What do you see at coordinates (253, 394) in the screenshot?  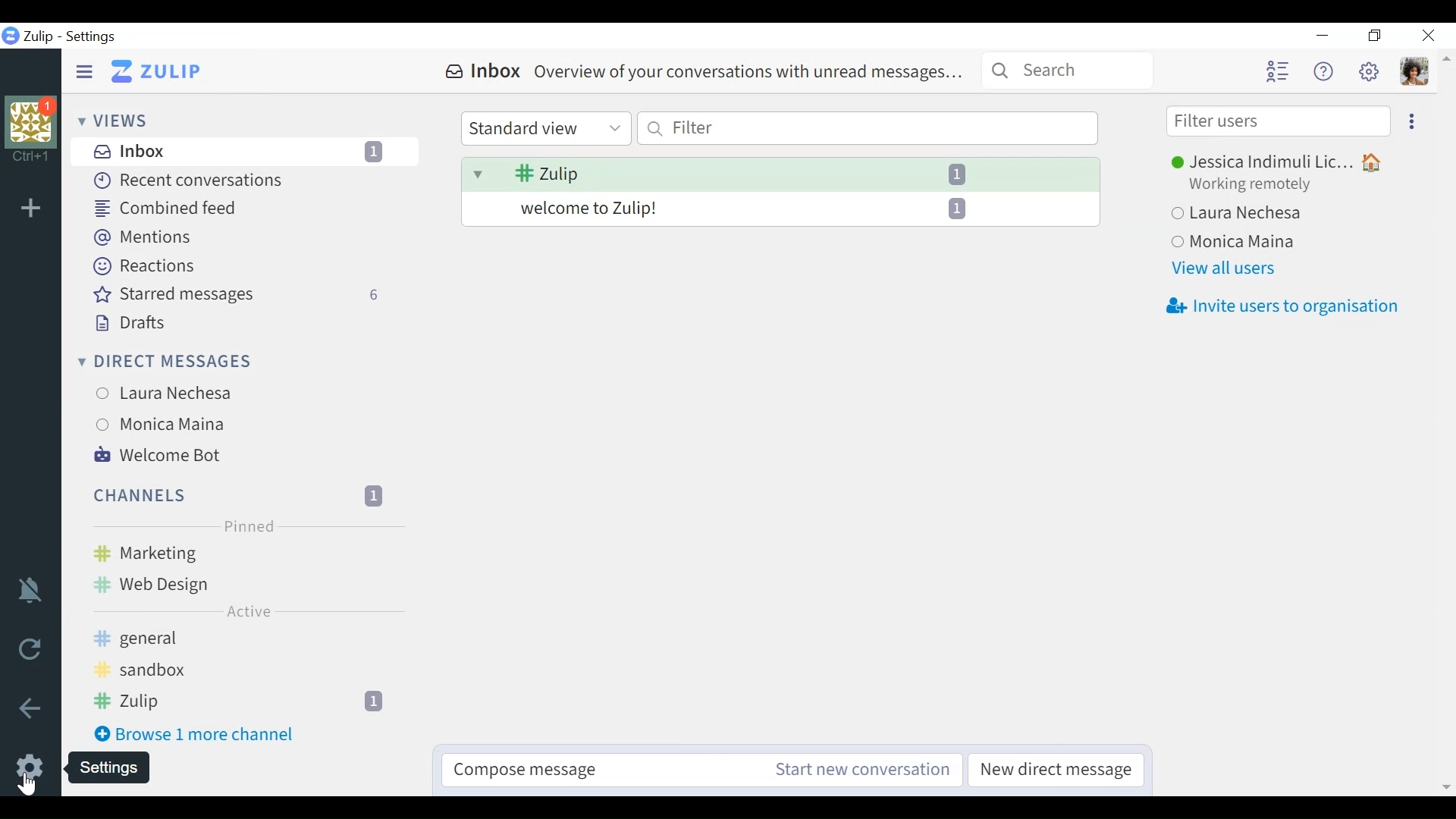 I see `User` at bounding box center [253, 394].